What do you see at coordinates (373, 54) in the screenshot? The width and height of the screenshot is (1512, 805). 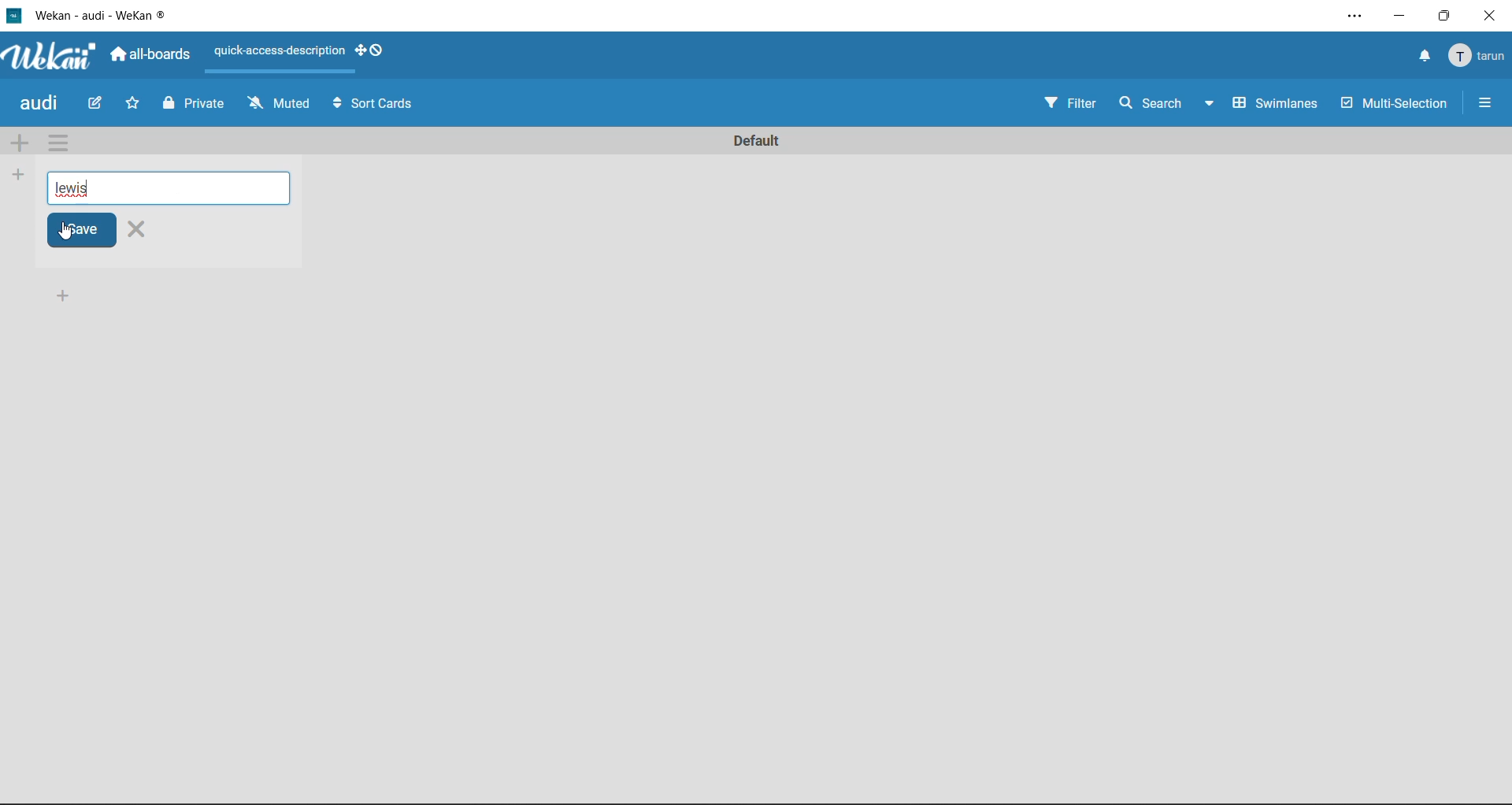 I see `show desktop drag handles` at bounding box center [373, 54].